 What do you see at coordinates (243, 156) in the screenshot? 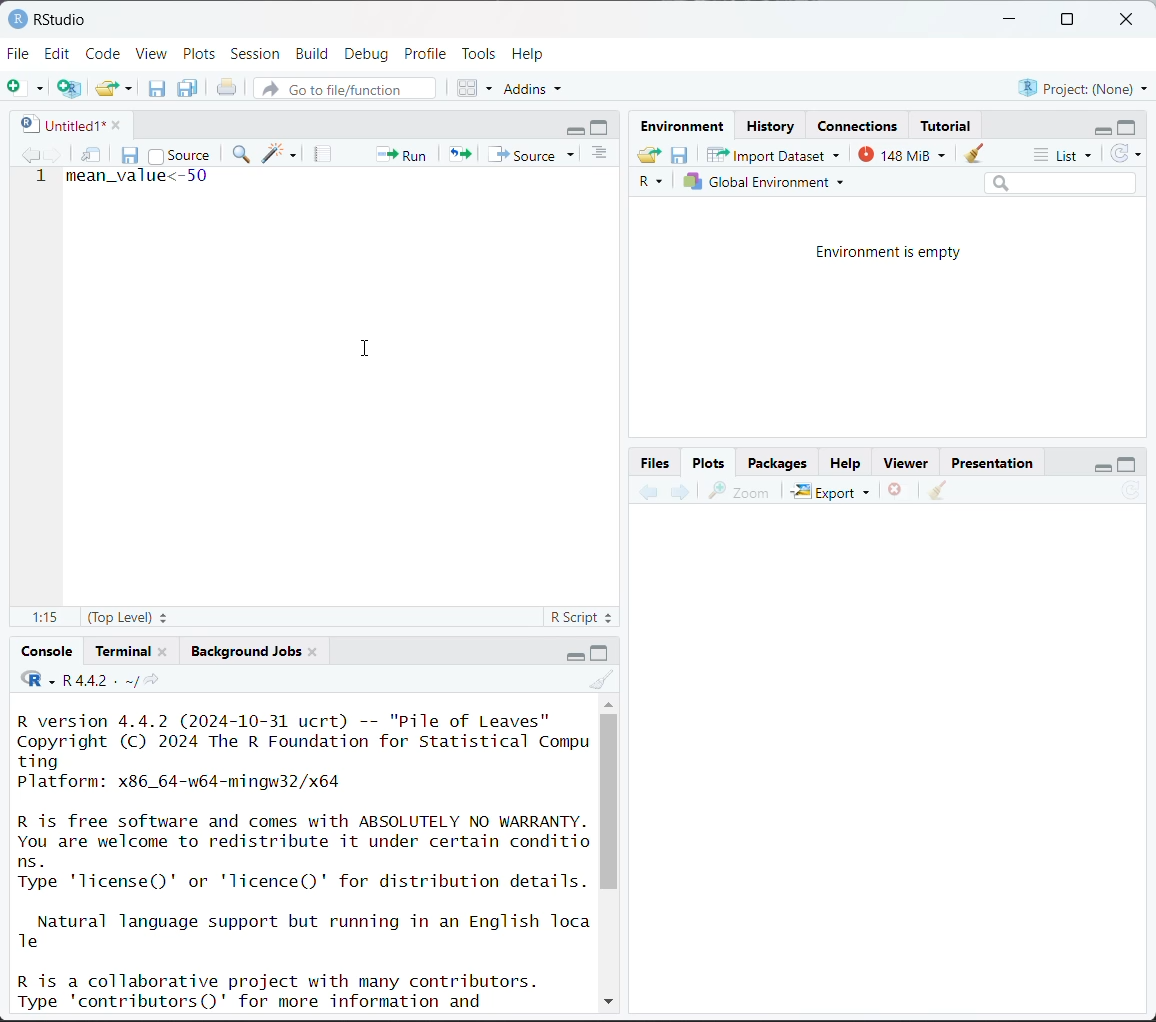
I see `find/replace` at bounding box center [243, 156].